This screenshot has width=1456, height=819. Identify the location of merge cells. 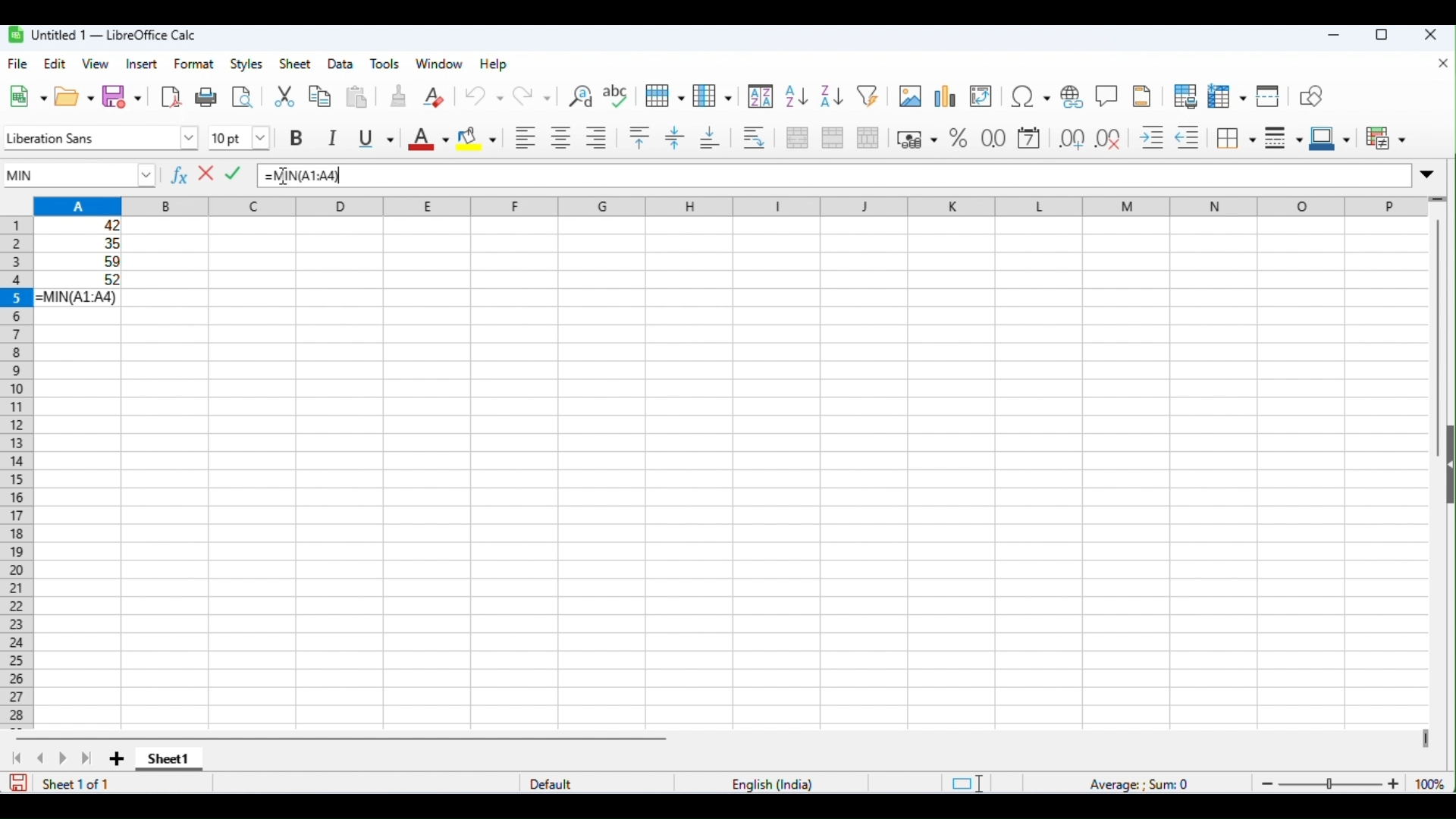
(832, 137).